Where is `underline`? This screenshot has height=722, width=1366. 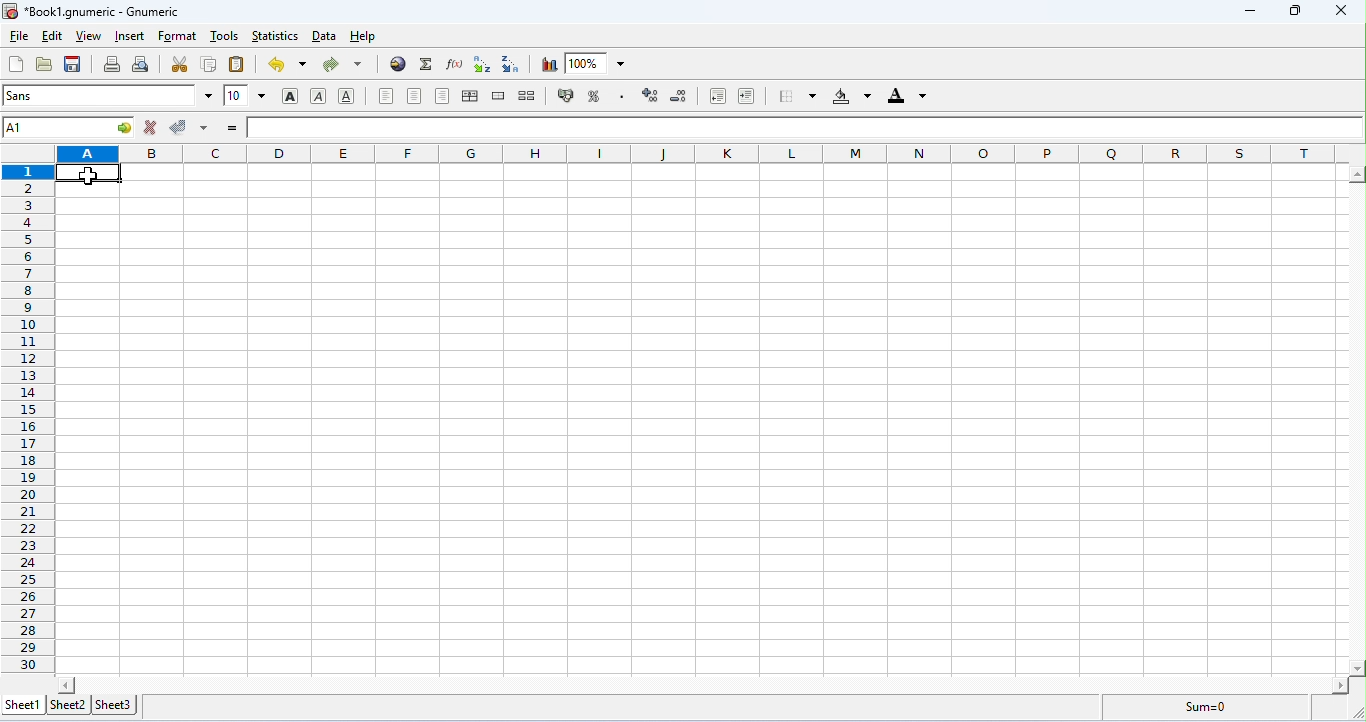
underline is located at coordinates (347, 96).